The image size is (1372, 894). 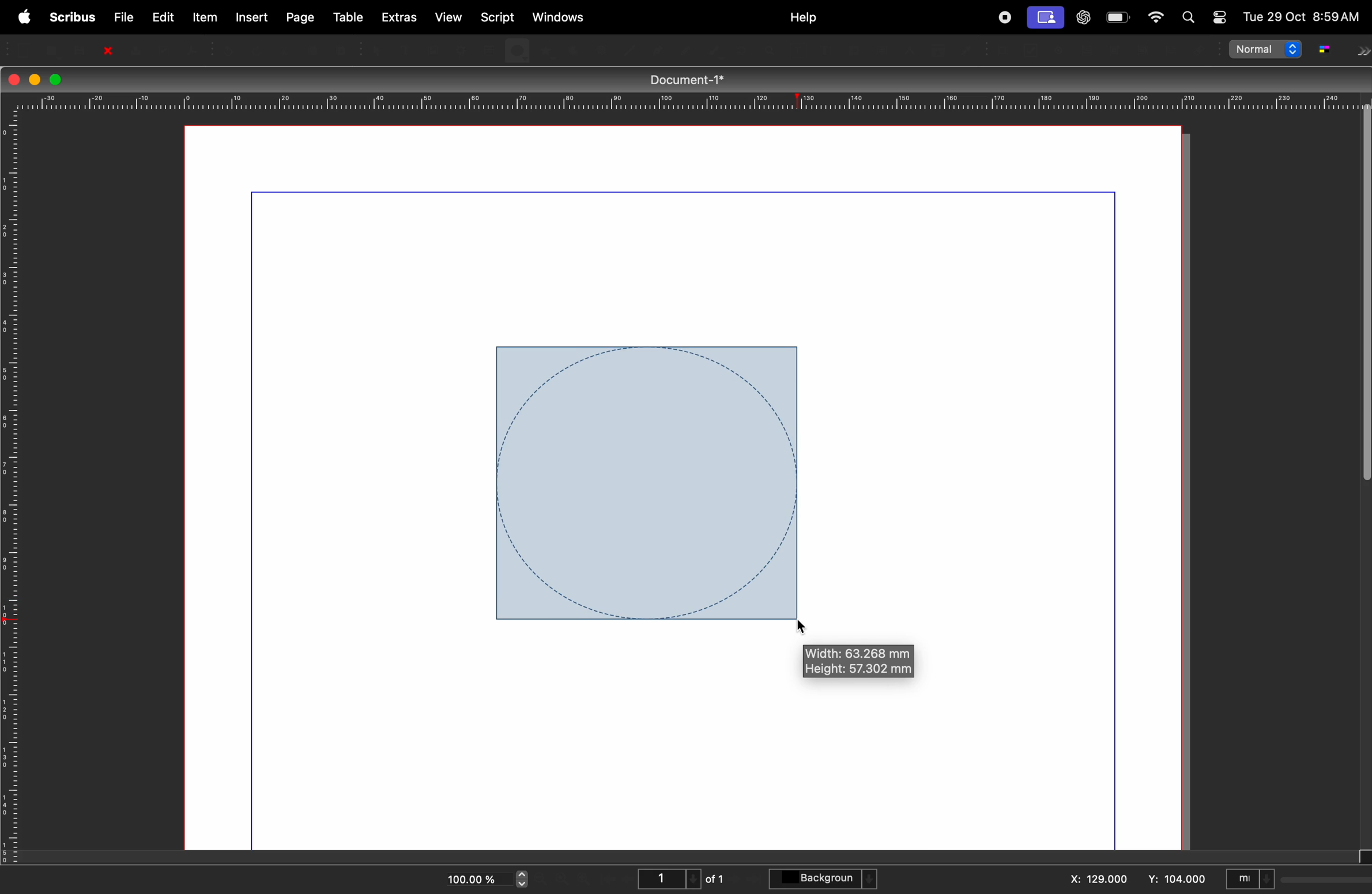 I want to click on 1, so click(x=666, y=877).